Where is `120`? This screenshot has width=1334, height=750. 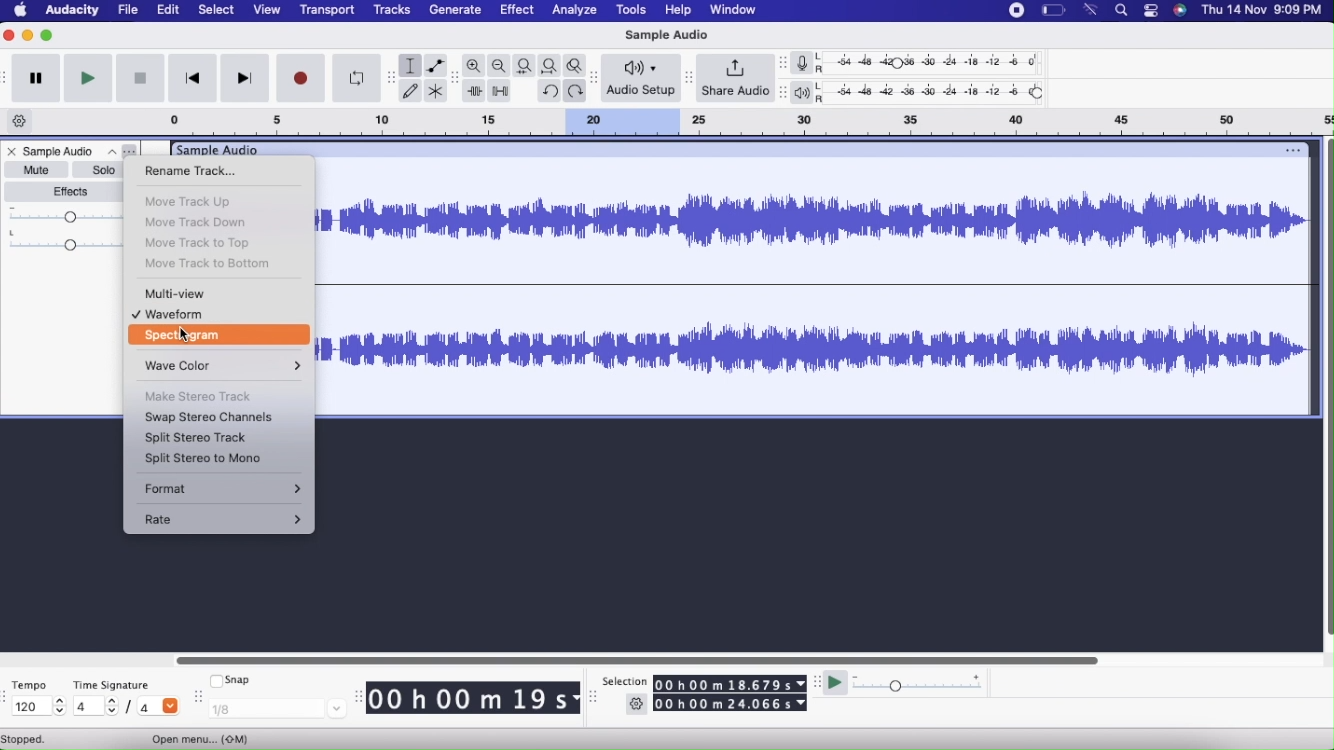
120 is located at coordinates (41, 706).